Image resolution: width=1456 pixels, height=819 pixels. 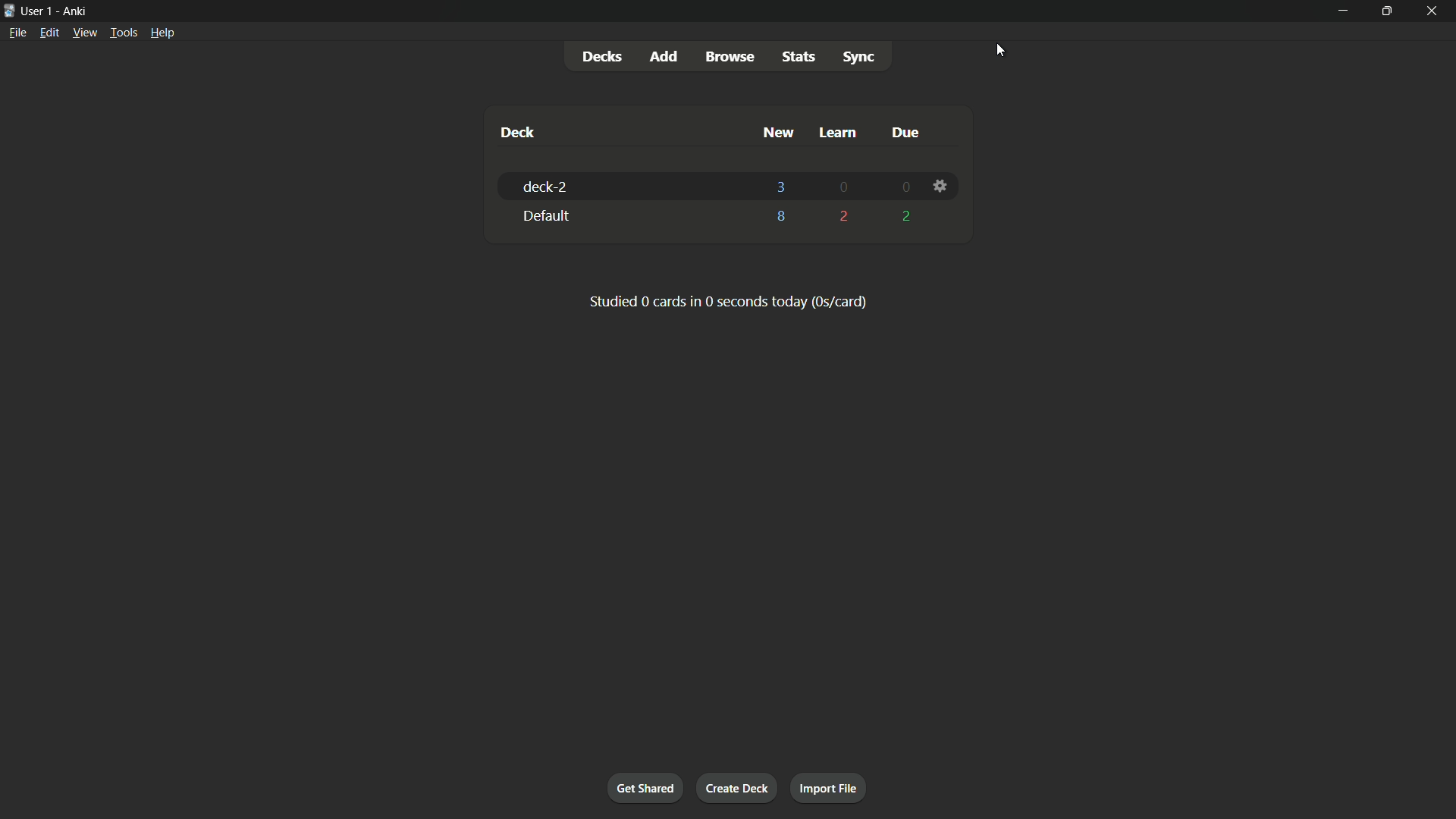 I want to click on learn, so click(x=836, y=133).